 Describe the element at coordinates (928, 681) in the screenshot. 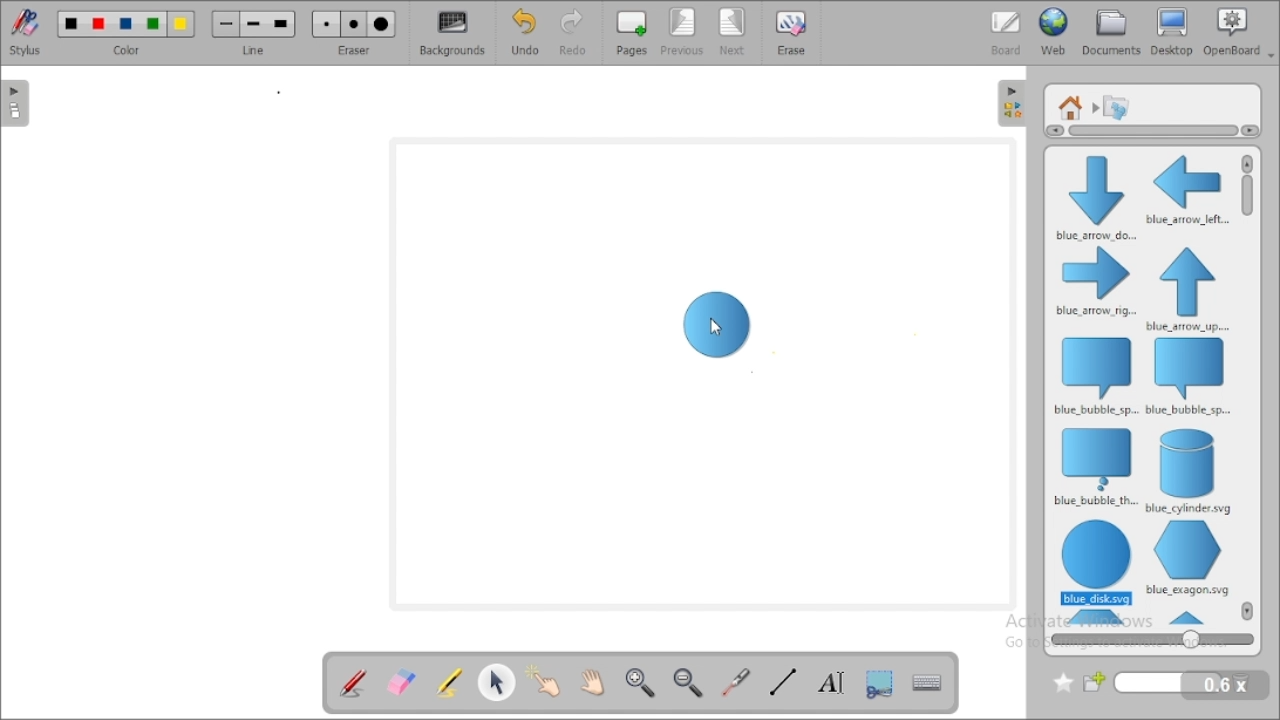

I see `display virtual keyboard` at that location.